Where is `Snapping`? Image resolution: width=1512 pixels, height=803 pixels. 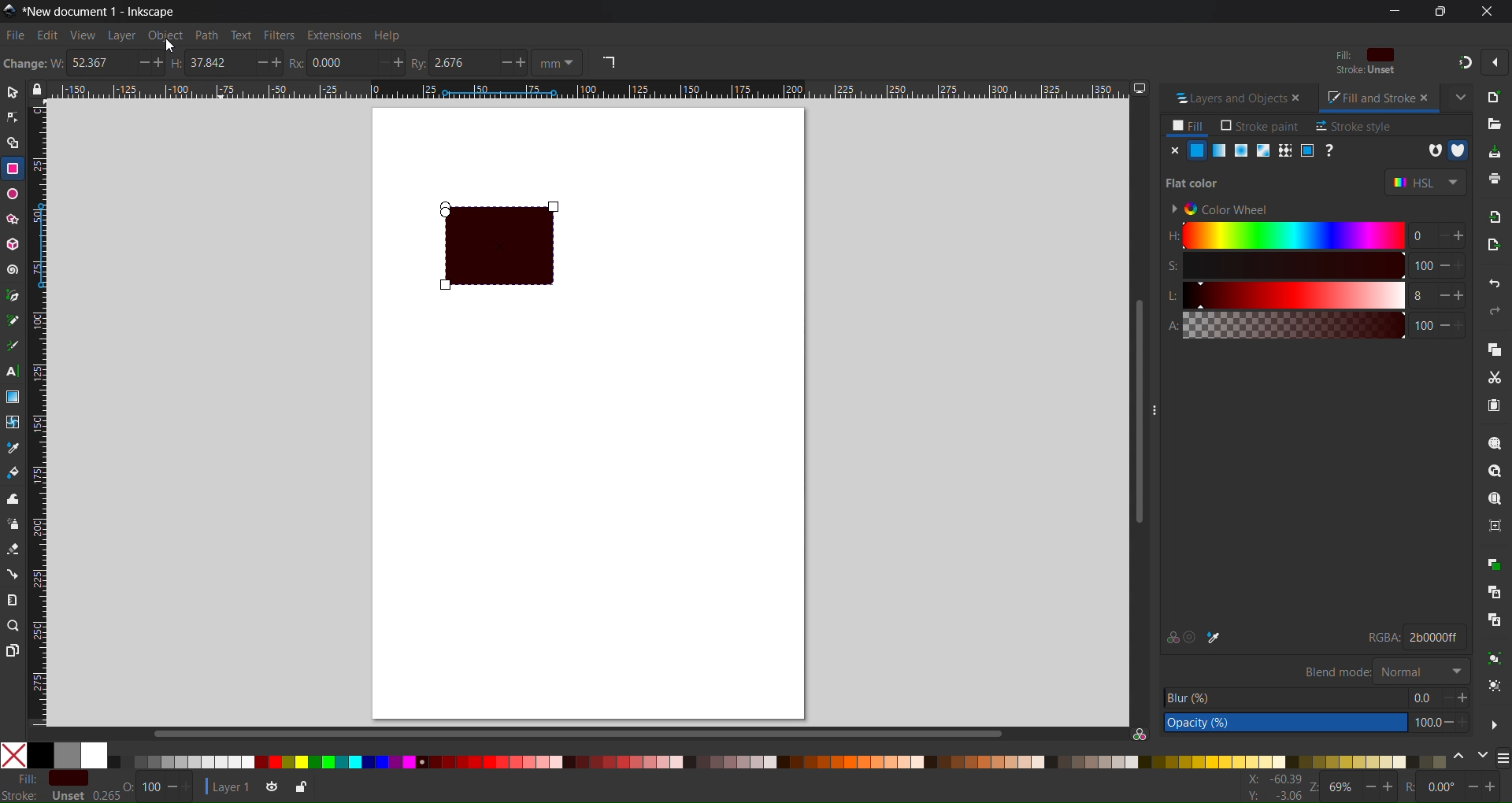 Snapping is located at coordinates (1462, 61).